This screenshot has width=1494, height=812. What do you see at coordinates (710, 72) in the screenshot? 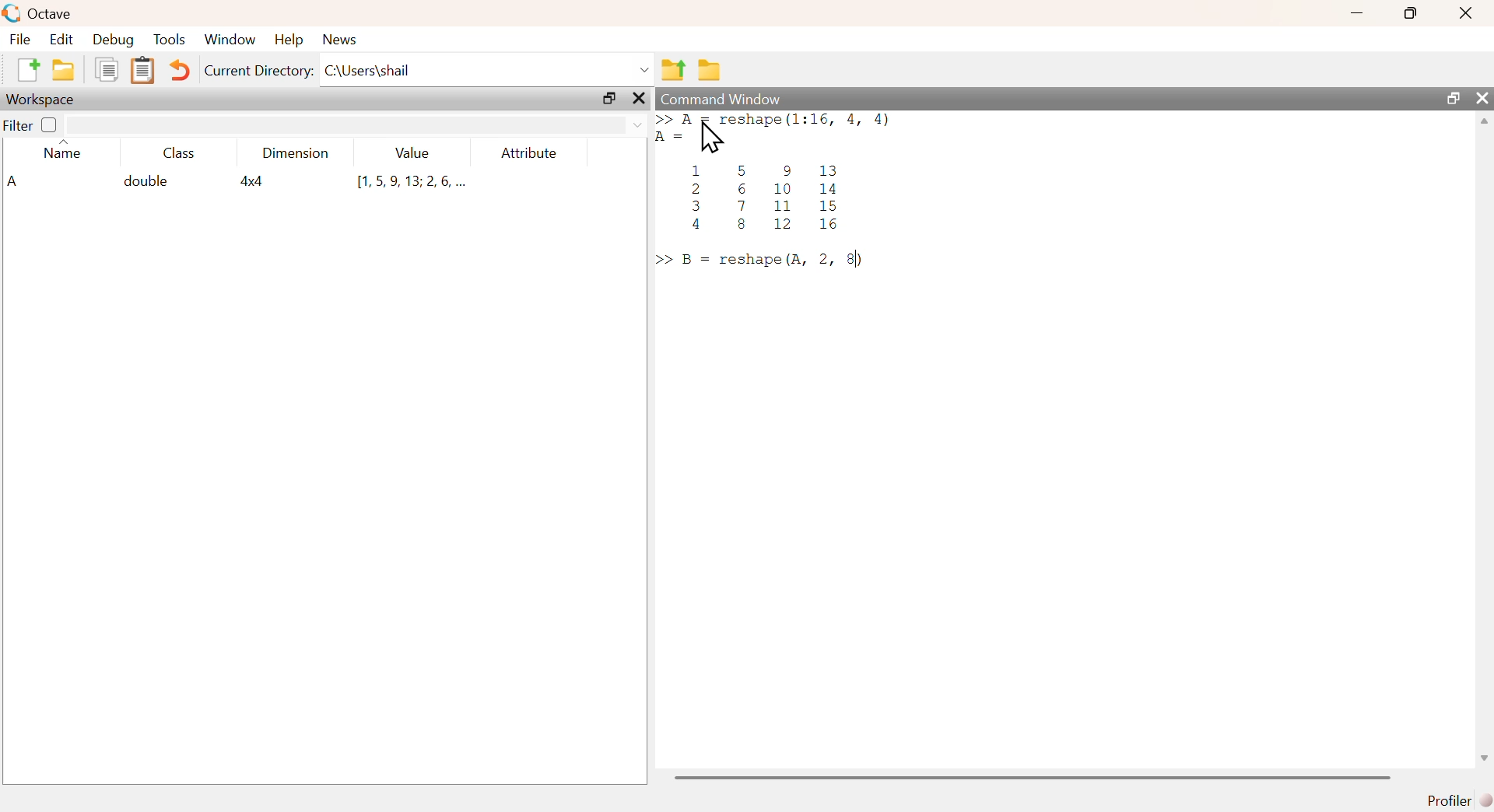
I see `browse directories` at bounding box center [710, 72].